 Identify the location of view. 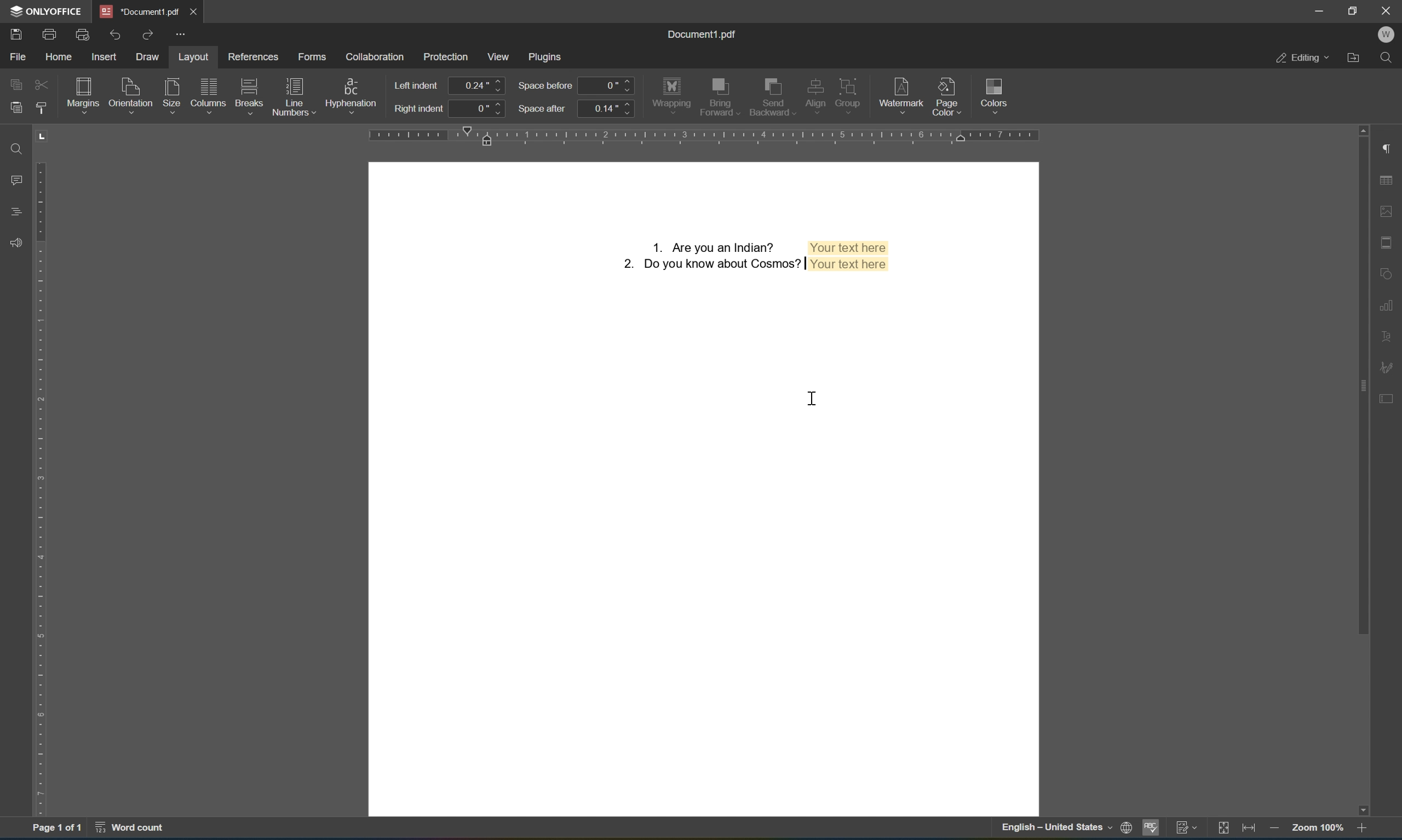
(500, 58).